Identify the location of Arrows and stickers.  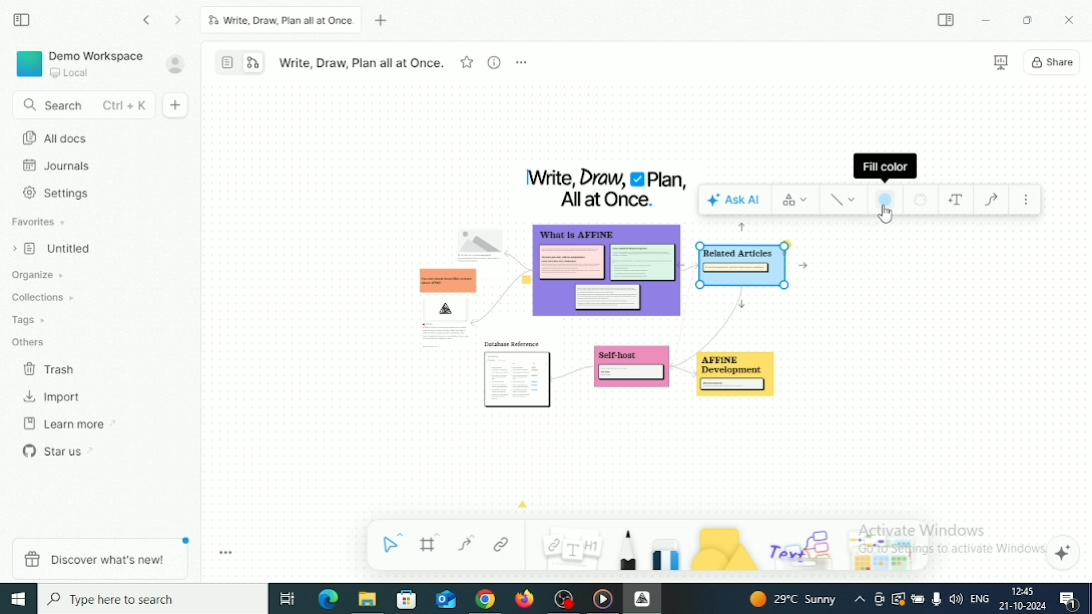
(887, 553).